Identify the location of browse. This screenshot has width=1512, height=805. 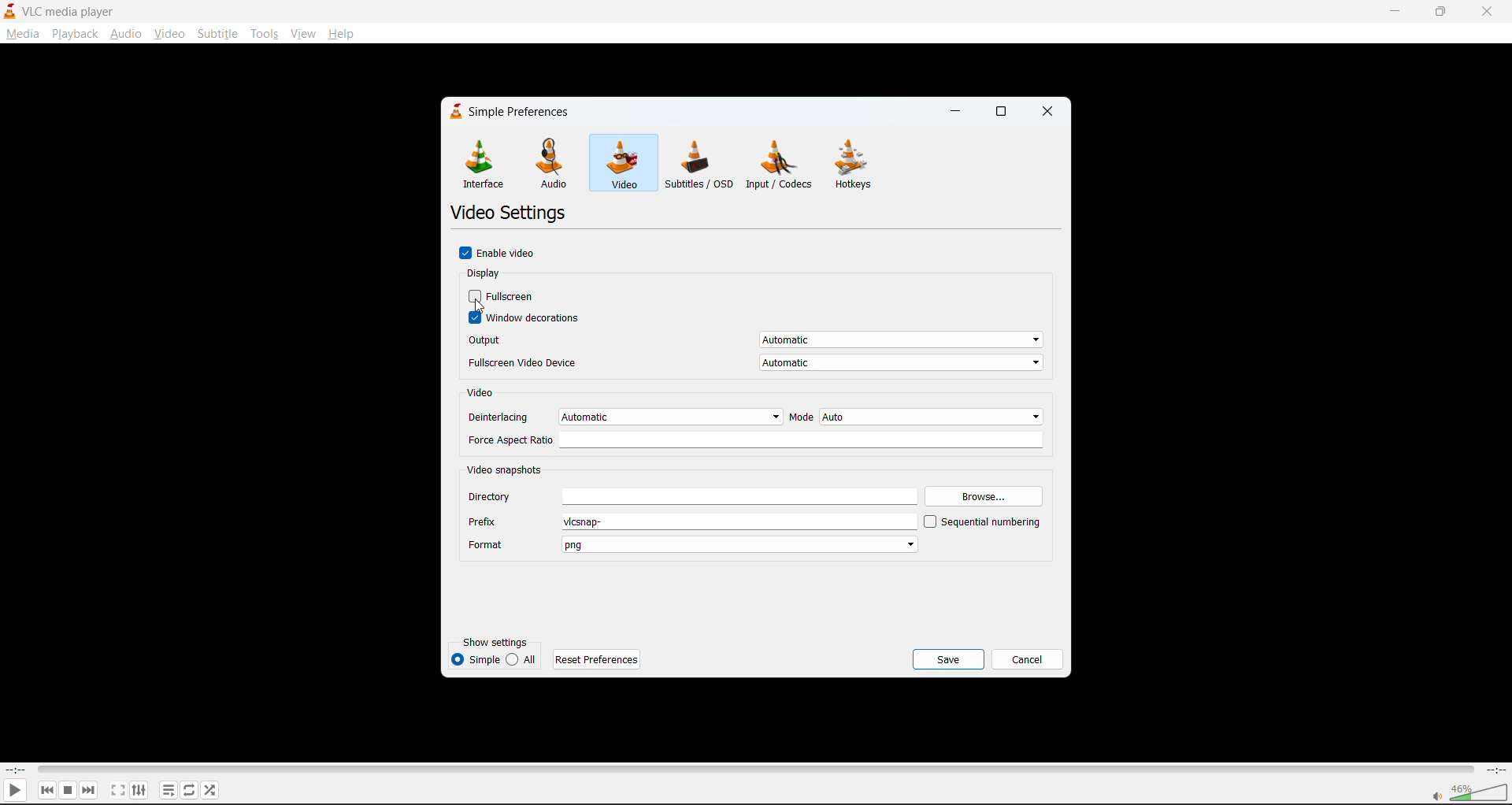
(987, 494).